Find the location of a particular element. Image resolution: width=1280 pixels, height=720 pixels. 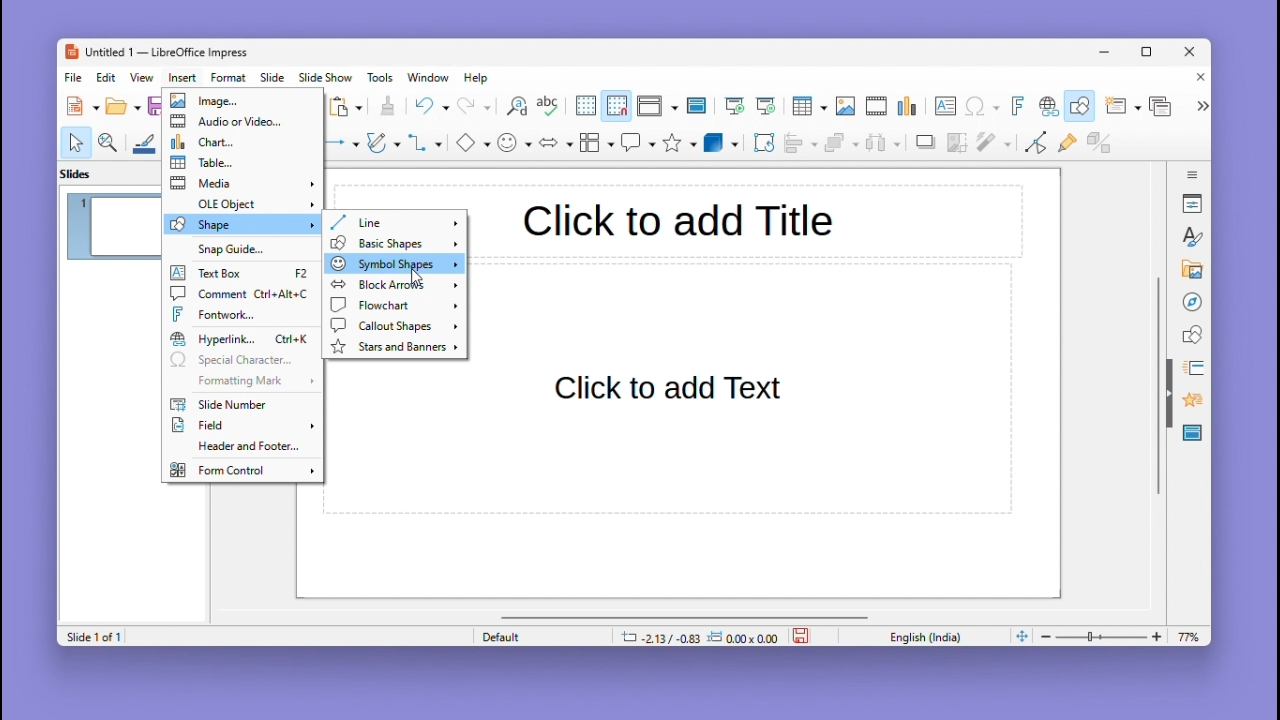

snap to grid is located at coordinates (616, 106).